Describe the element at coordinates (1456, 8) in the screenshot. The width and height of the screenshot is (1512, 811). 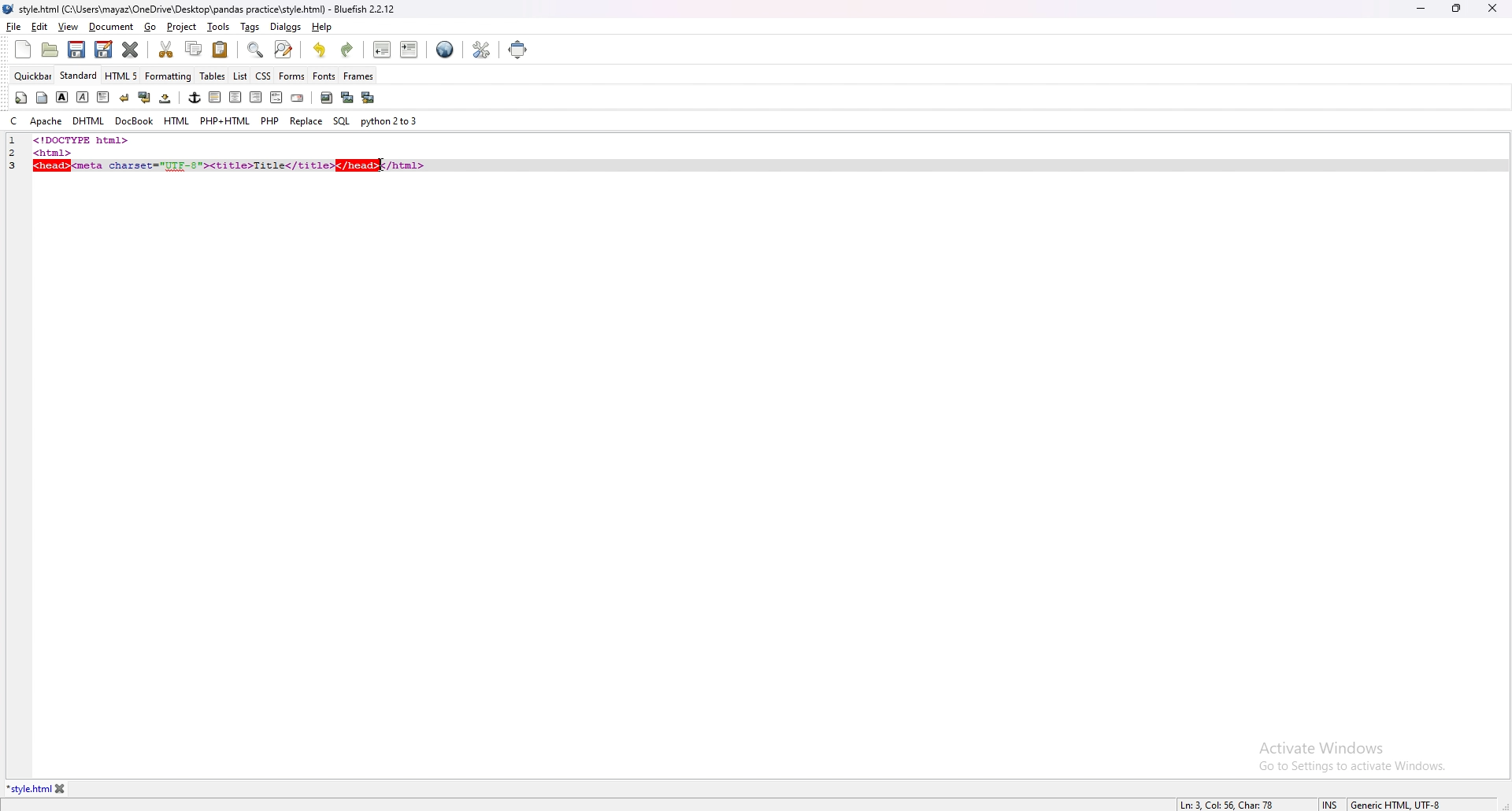
I see `resize` at that location.